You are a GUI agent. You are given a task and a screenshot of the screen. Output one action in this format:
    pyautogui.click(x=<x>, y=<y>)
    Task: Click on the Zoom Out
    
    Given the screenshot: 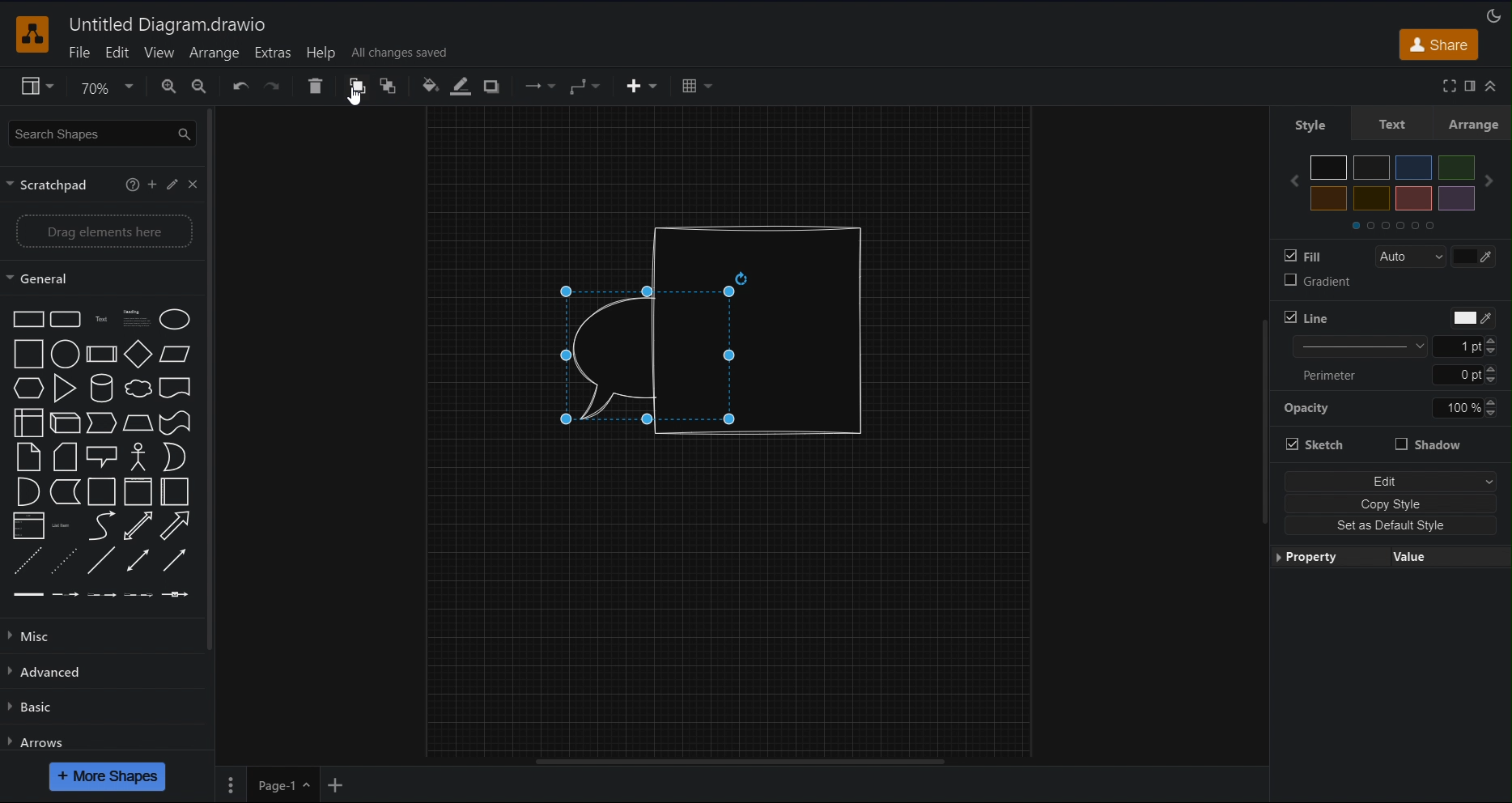 What is the action you would take?
    pyautogui.click(x=202, y=87)
    